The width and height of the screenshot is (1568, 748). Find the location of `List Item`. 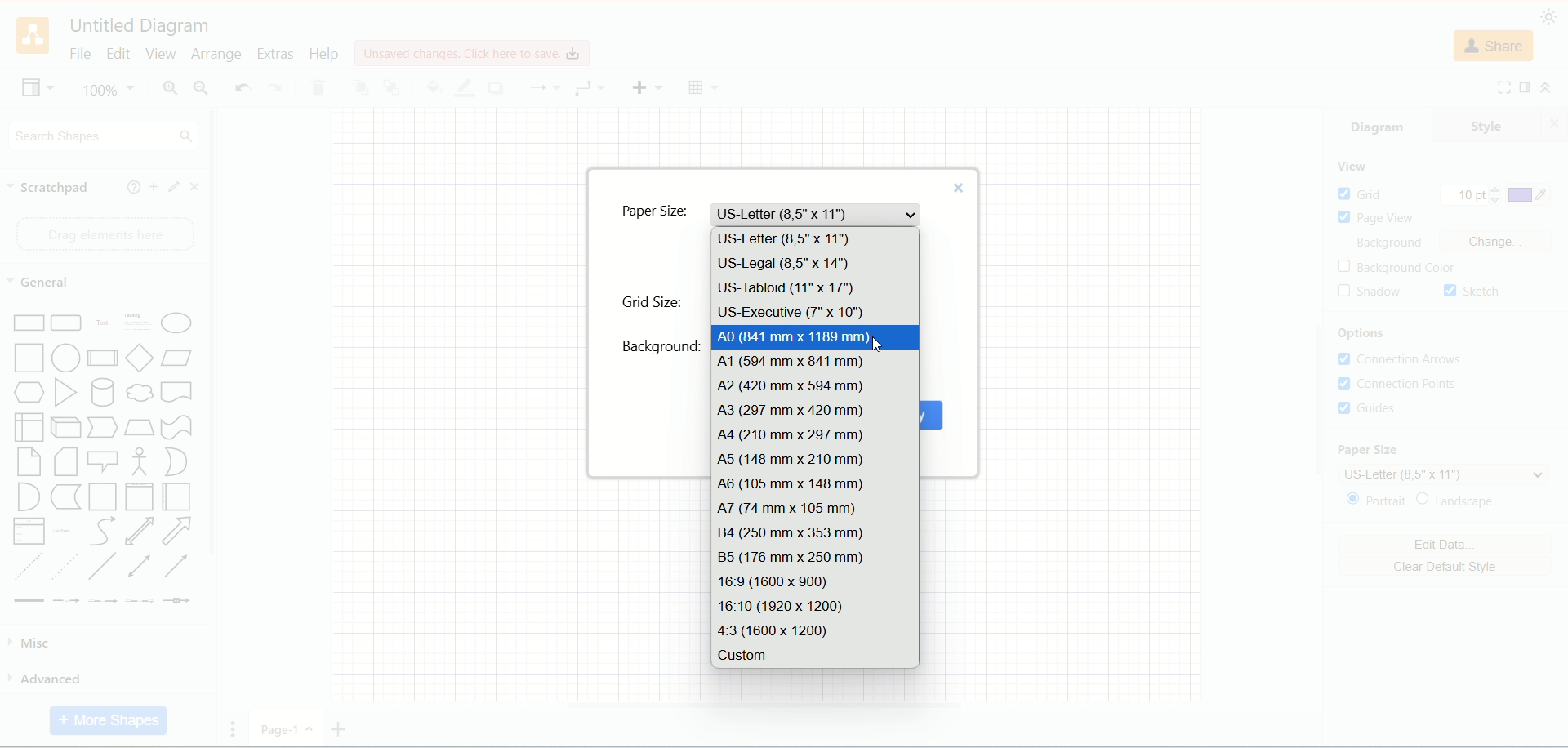

List Item is located at coordinates (60, 529).